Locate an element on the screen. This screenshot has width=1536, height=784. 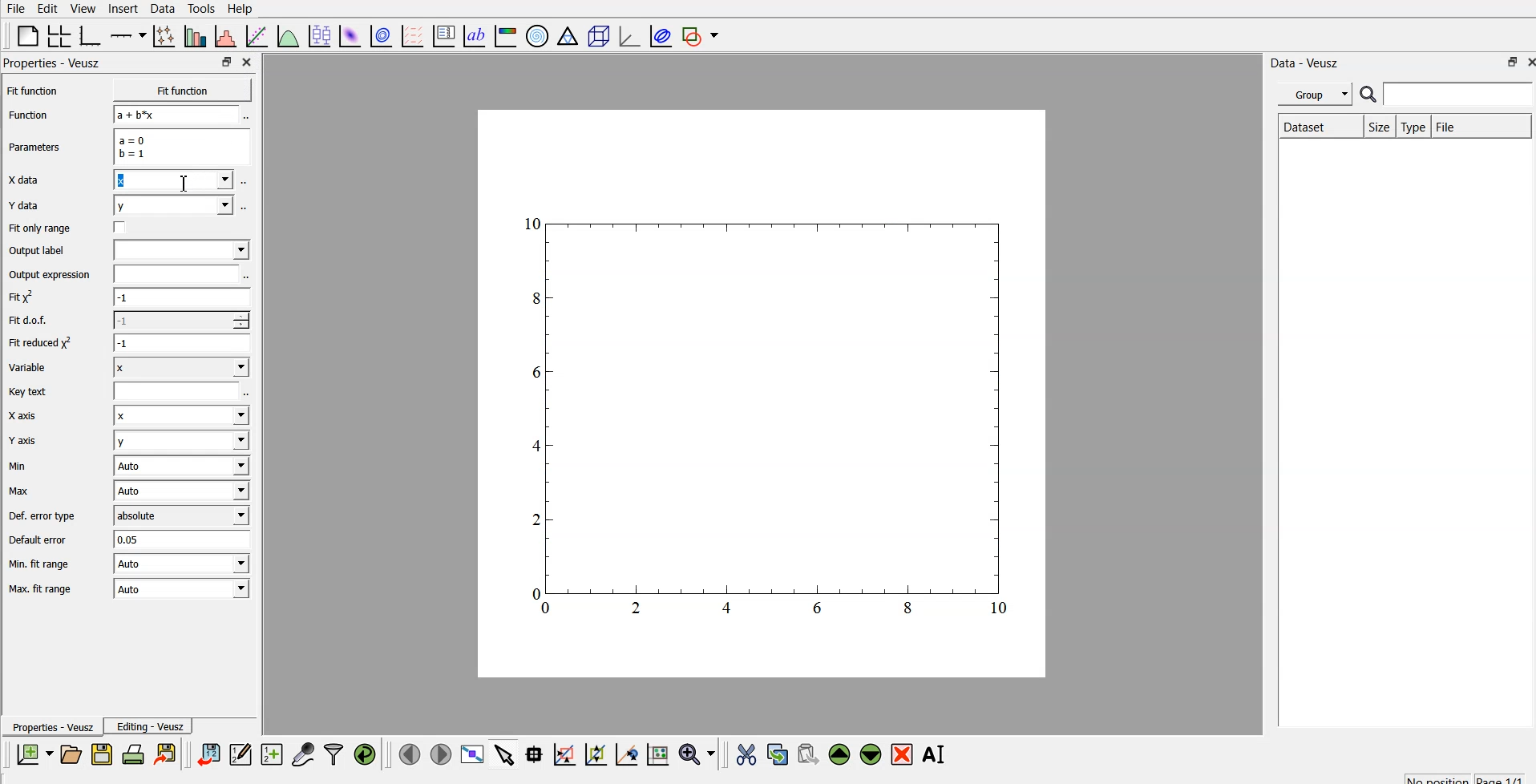
histogram of a dataset is located at coordinates (224, 36).